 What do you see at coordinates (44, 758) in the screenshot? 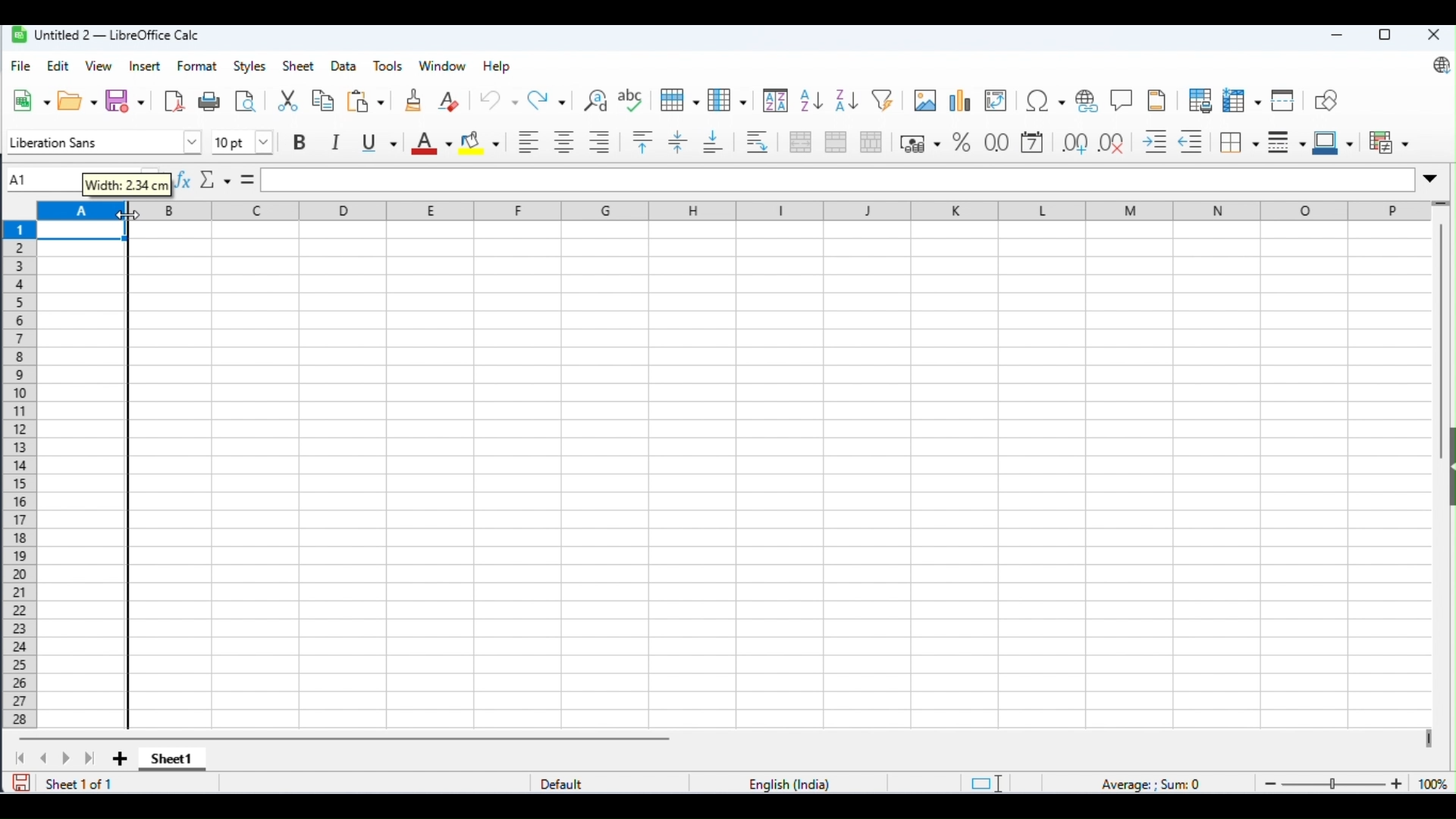
I see `previous sheet` at bounding box center [44, 758].